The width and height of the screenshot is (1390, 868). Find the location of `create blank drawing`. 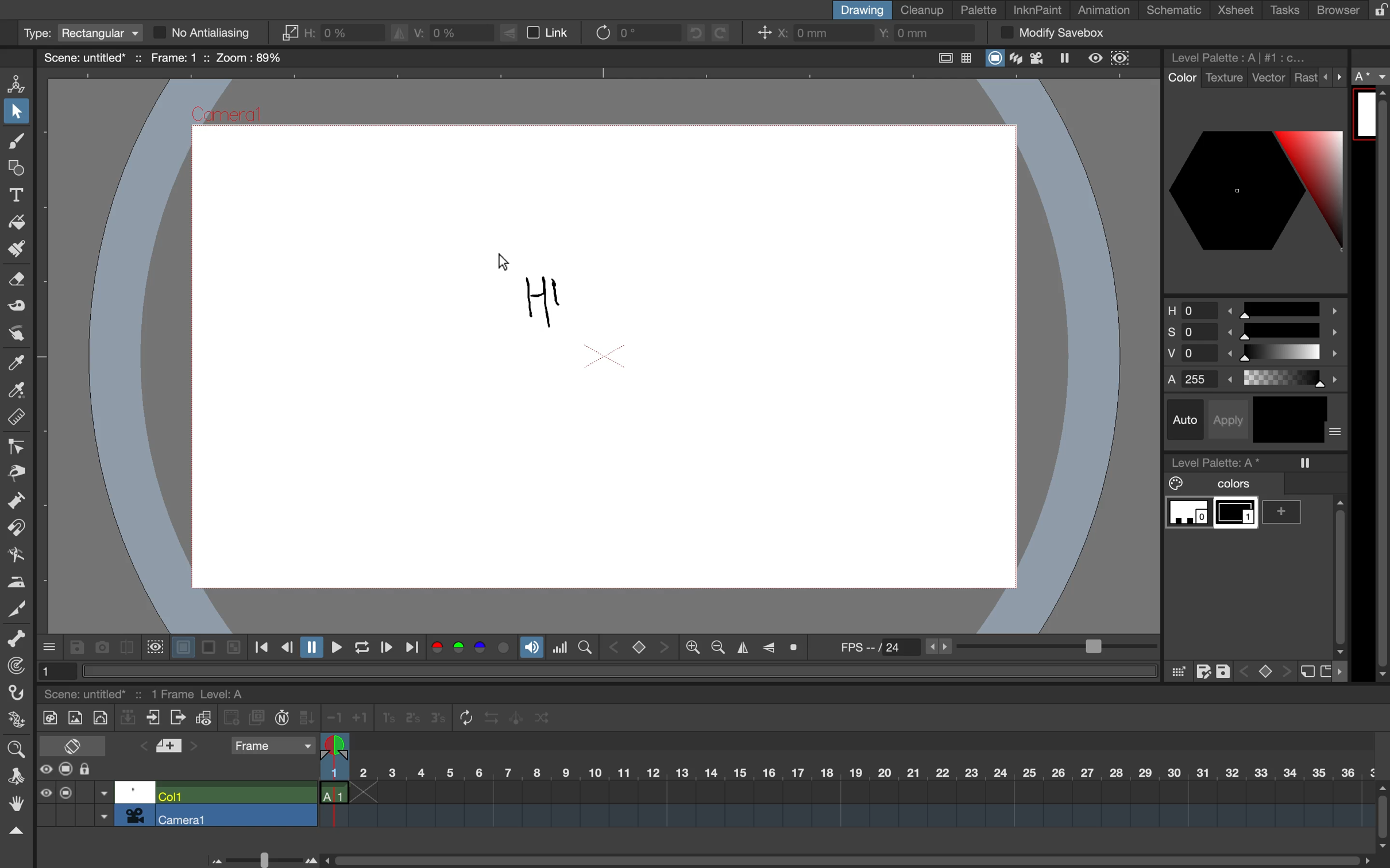

create blank drawing is located at coordinates (233, 718).